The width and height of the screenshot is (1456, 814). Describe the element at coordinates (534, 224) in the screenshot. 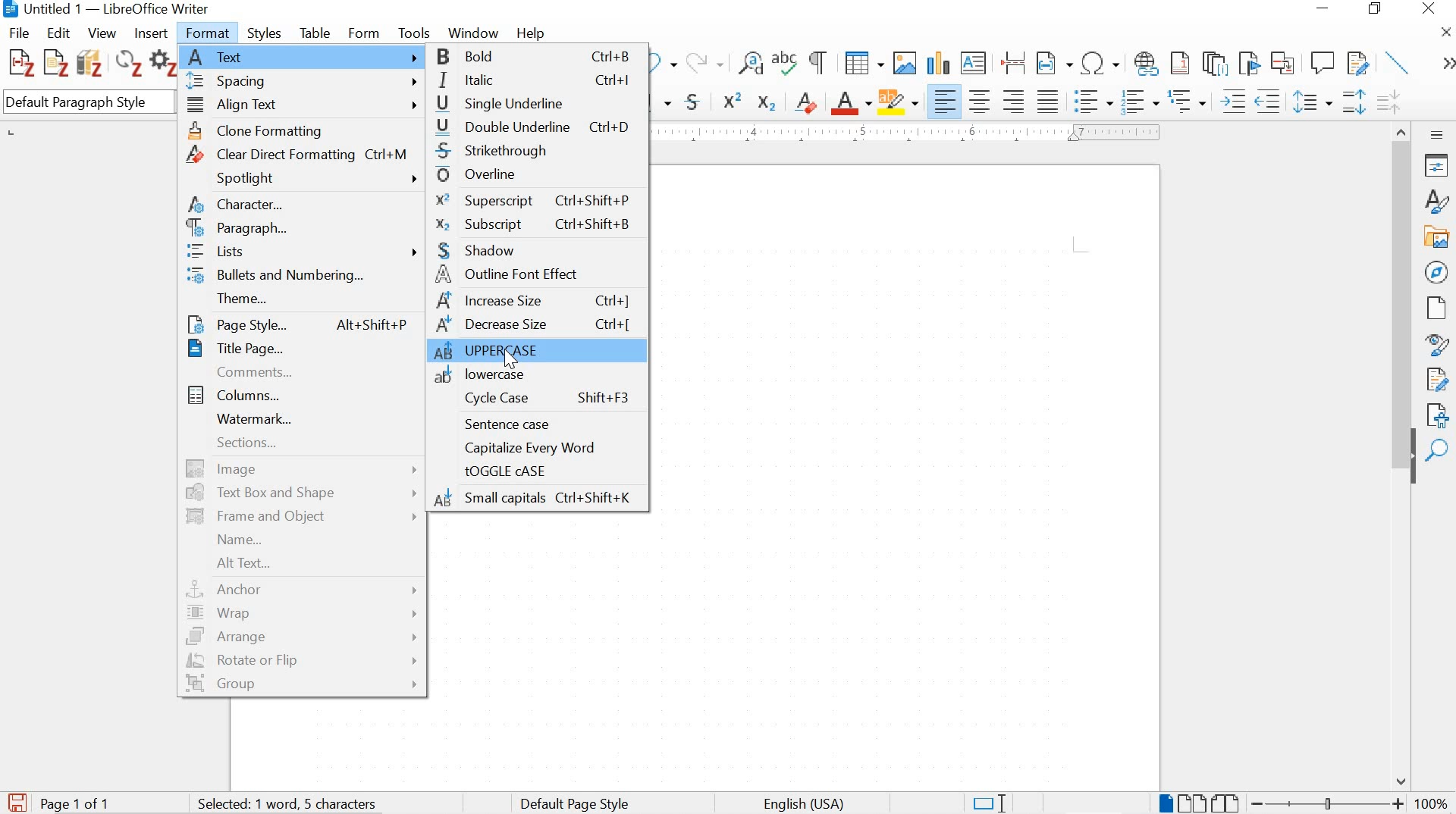

I see `subscript` at that location.